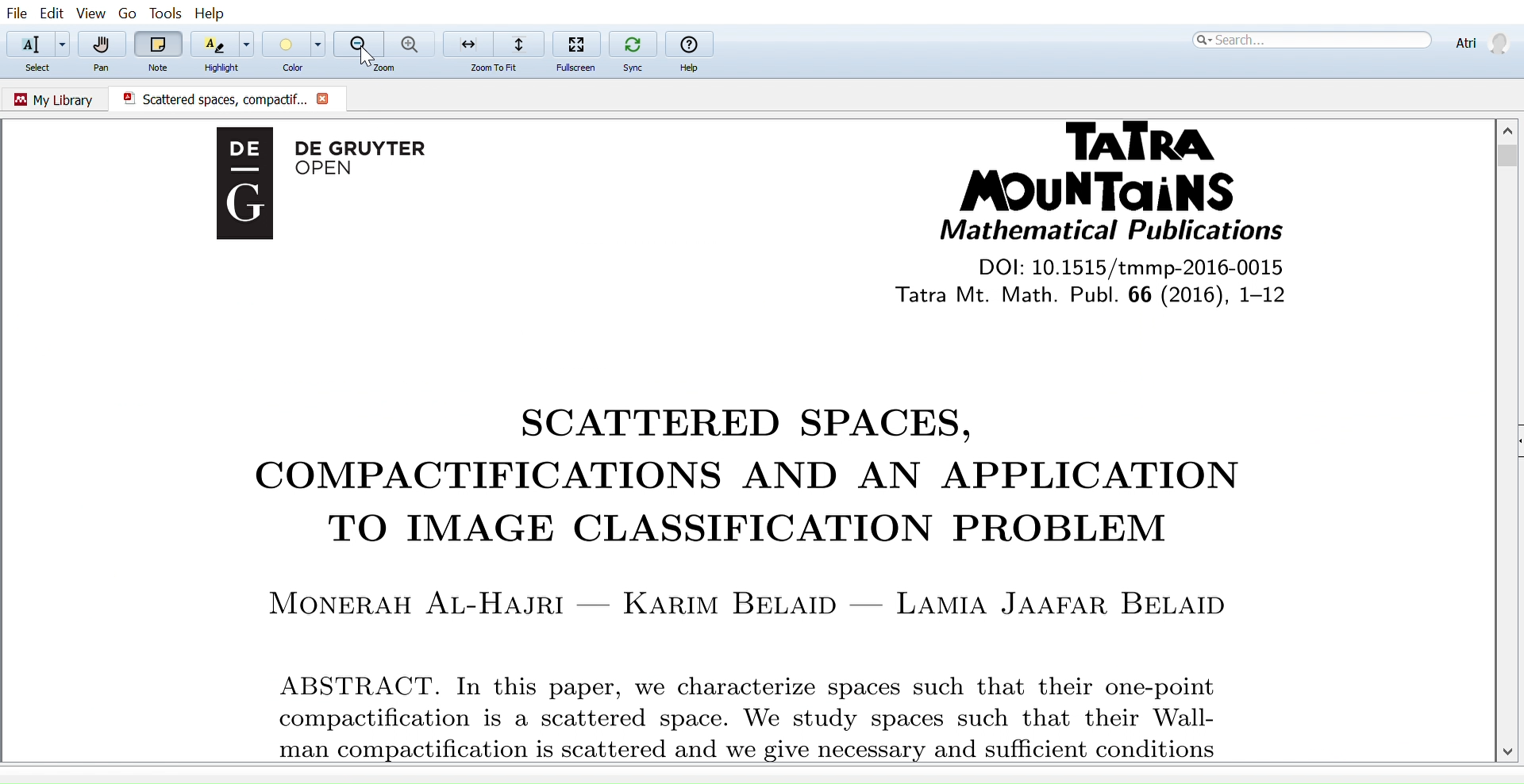  I want to click on SCATTERED SPACES,, so click(751, 421).